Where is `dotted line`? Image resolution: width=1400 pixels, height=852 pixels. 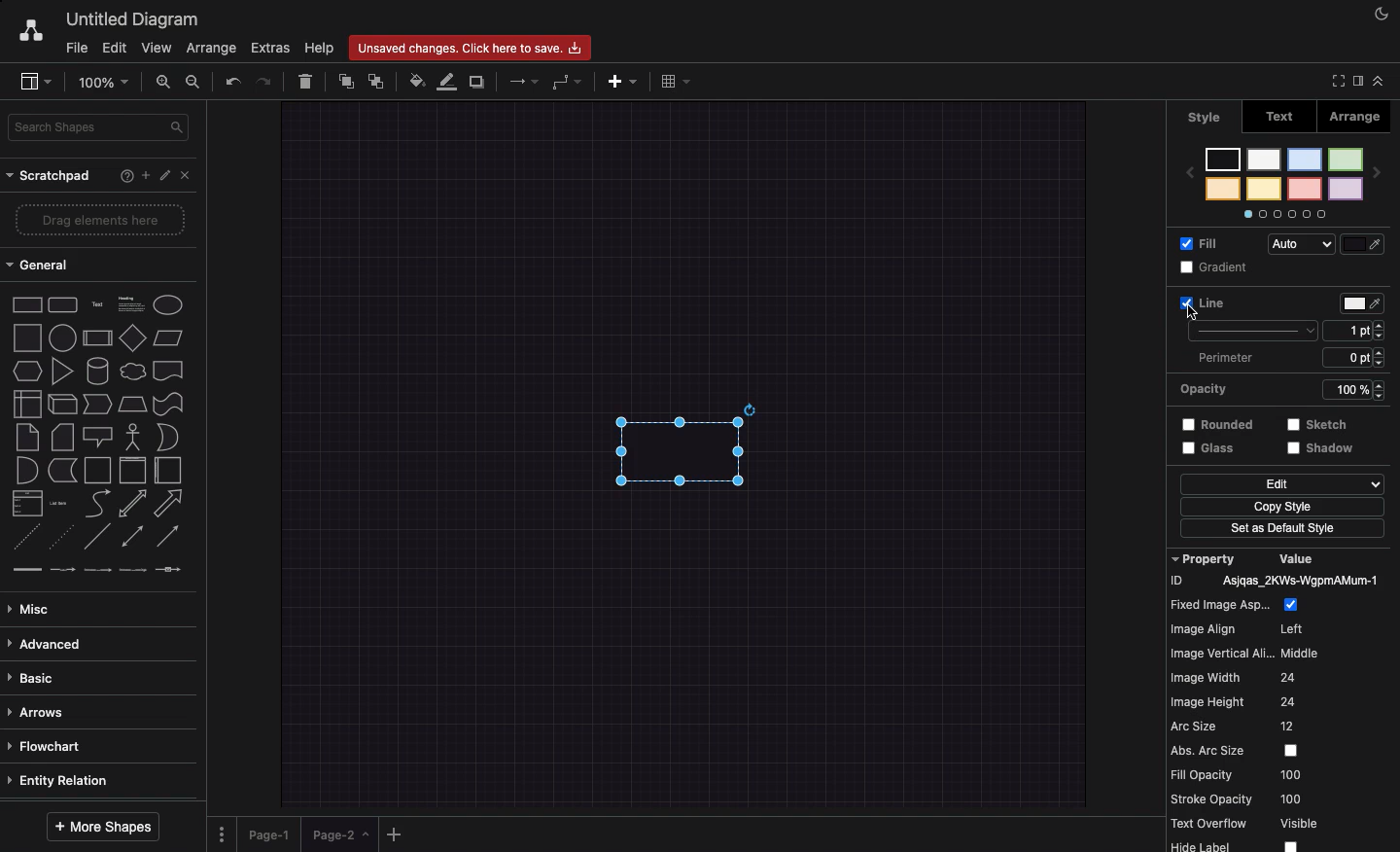
dotted line is located at coordinates (64, 539).